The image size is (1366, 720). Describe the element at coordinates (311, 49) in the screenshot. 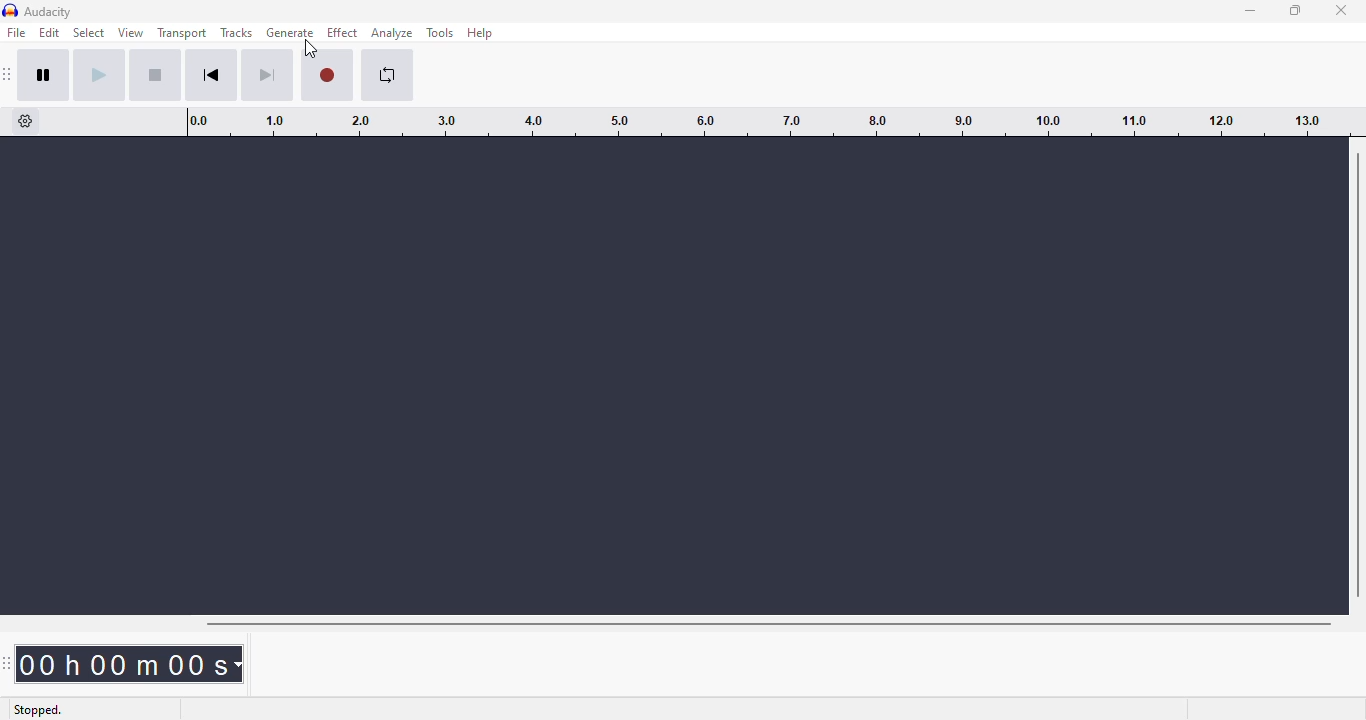

I see `cursor` at that location.